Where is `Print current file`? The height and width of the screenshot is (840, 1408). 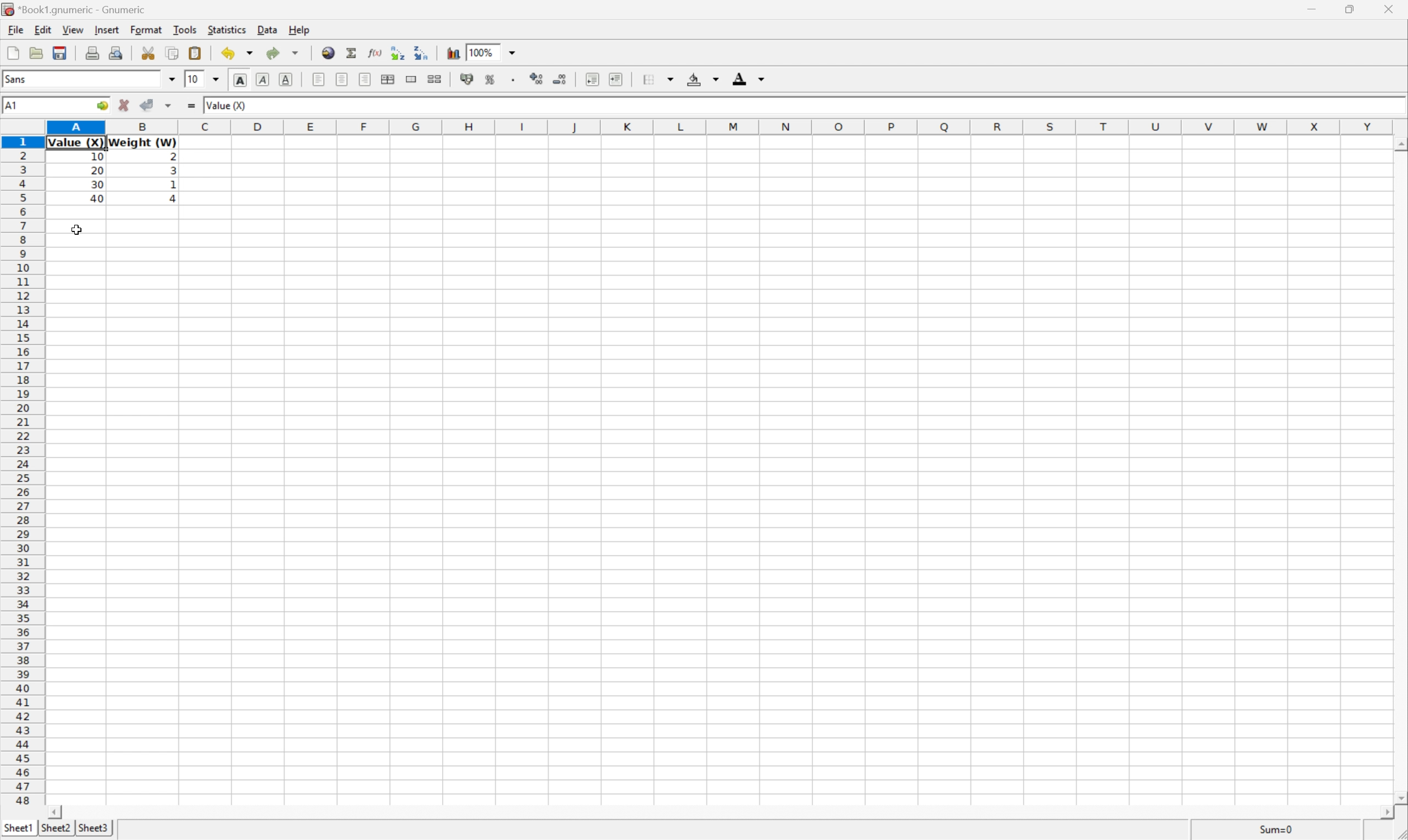 Print current file is located at coordinates (93, 53).